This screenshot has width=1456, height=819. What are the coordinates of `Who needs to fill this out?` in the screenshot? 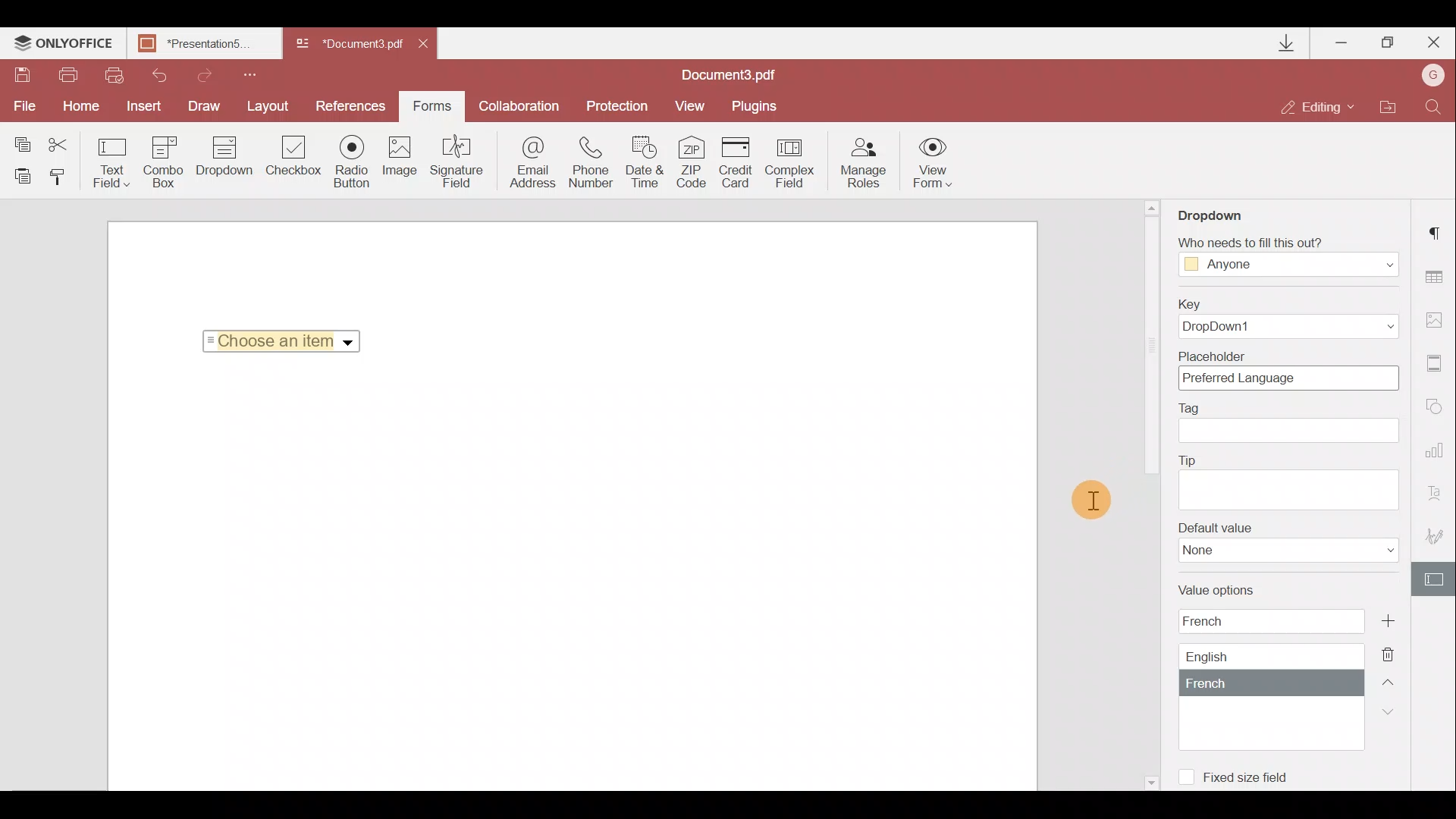 It's located at (1288, 252).